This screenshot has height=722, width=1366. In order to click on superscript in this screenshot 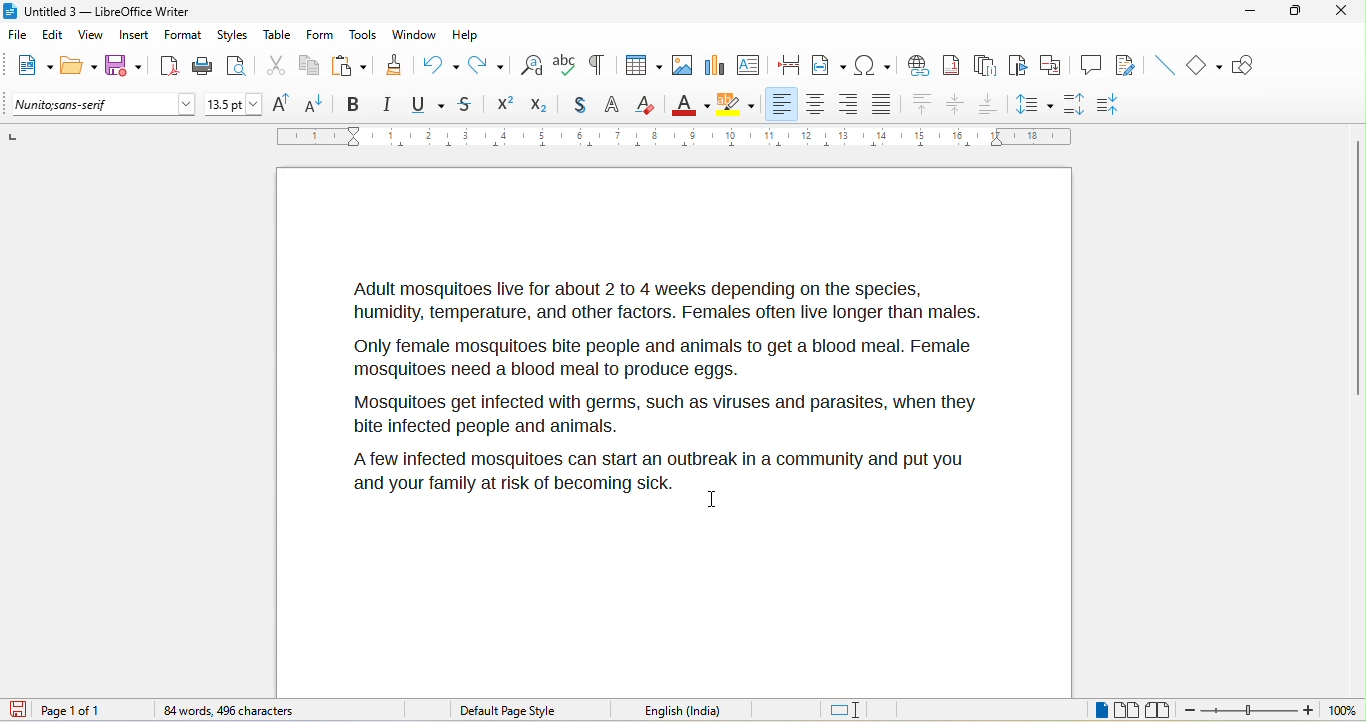, I will do `click(505, 104)`.